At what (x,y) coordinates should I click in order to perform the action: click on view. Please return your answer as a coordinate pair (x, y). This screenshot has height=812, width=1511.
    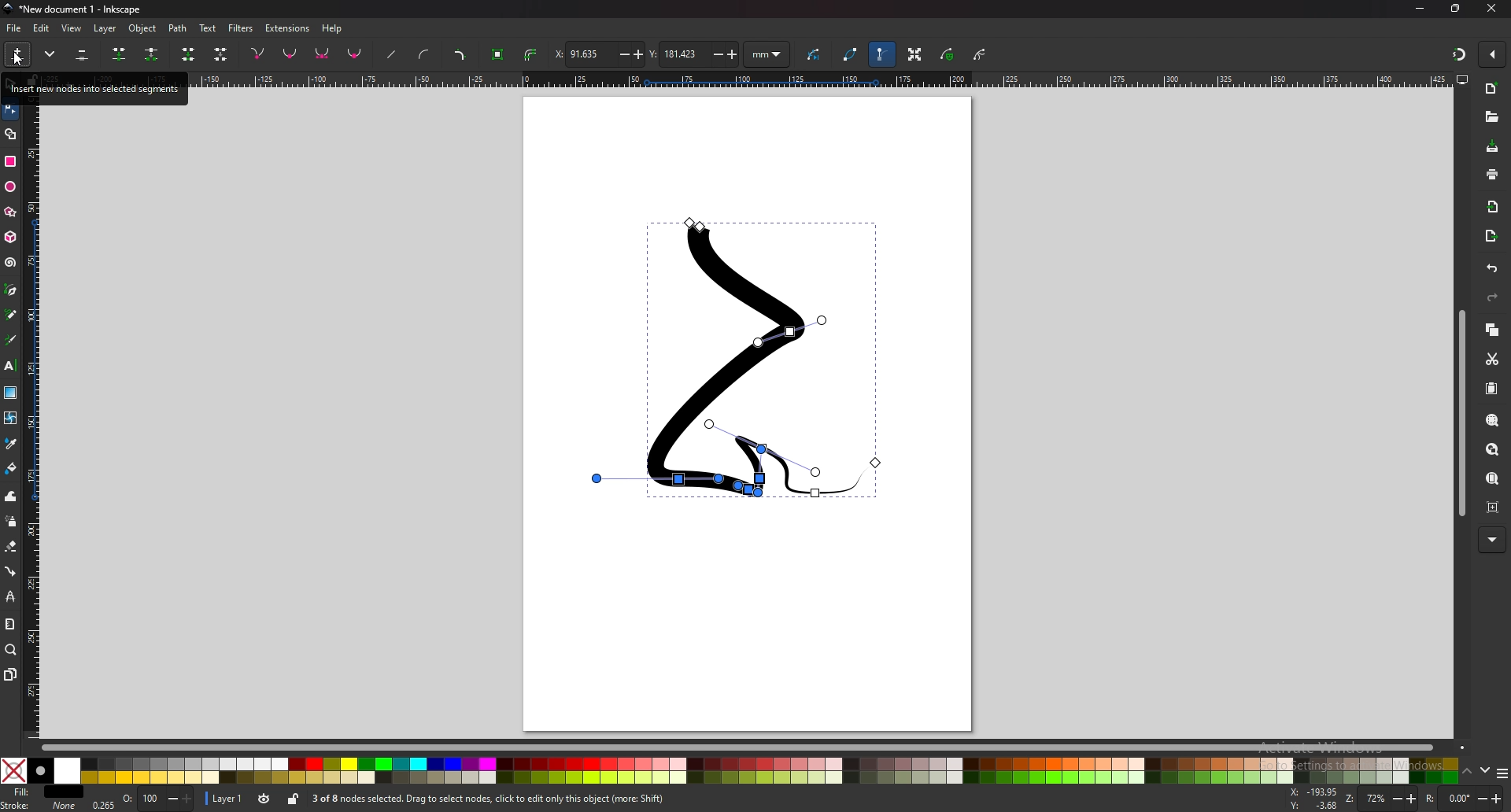
    Looking at the image, I should click on (72, 28).